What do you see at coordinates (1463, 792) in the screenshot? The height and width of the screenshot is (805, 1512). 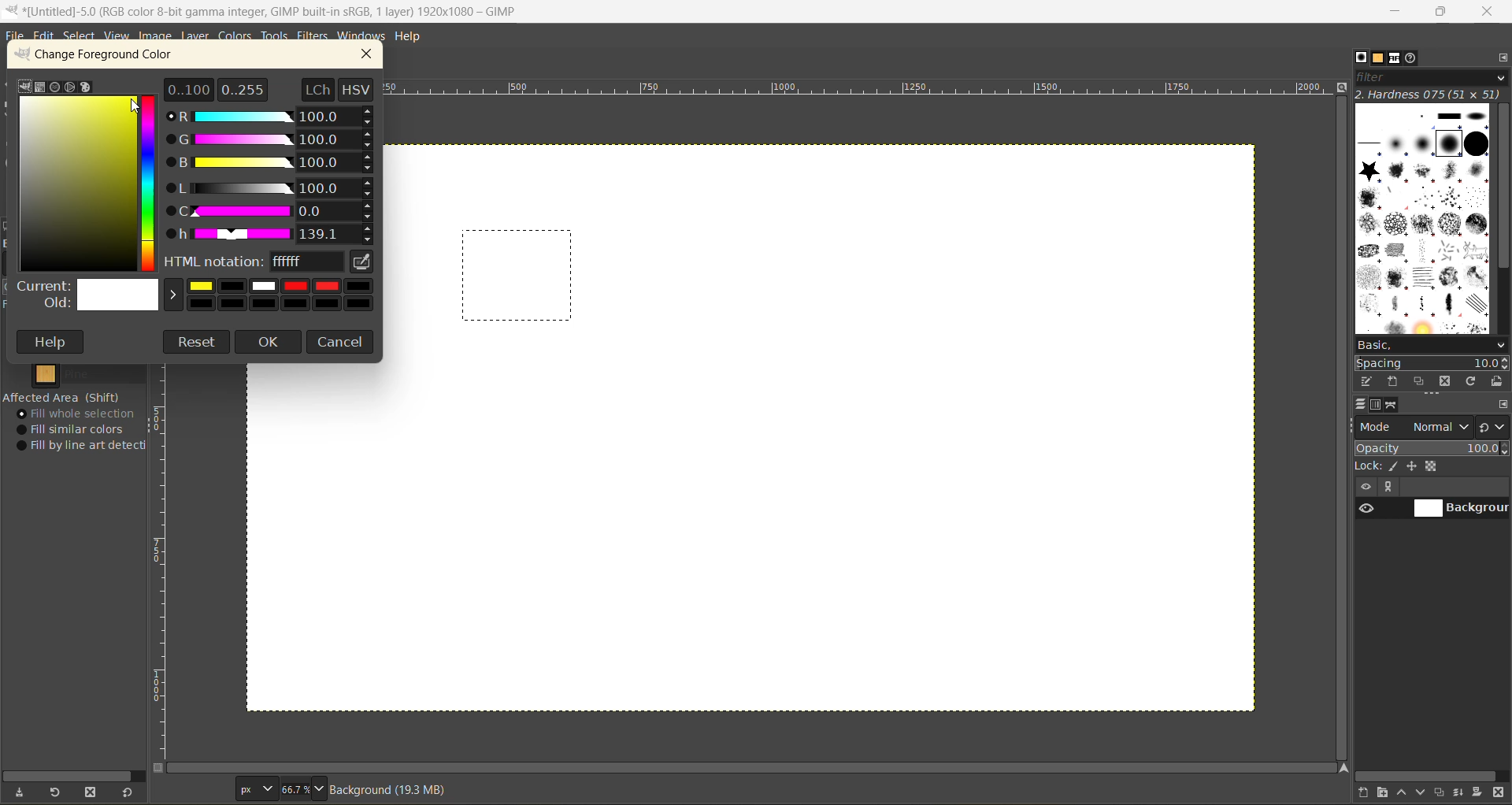 I see `merge this layer` at bounding box center [1463, 792].